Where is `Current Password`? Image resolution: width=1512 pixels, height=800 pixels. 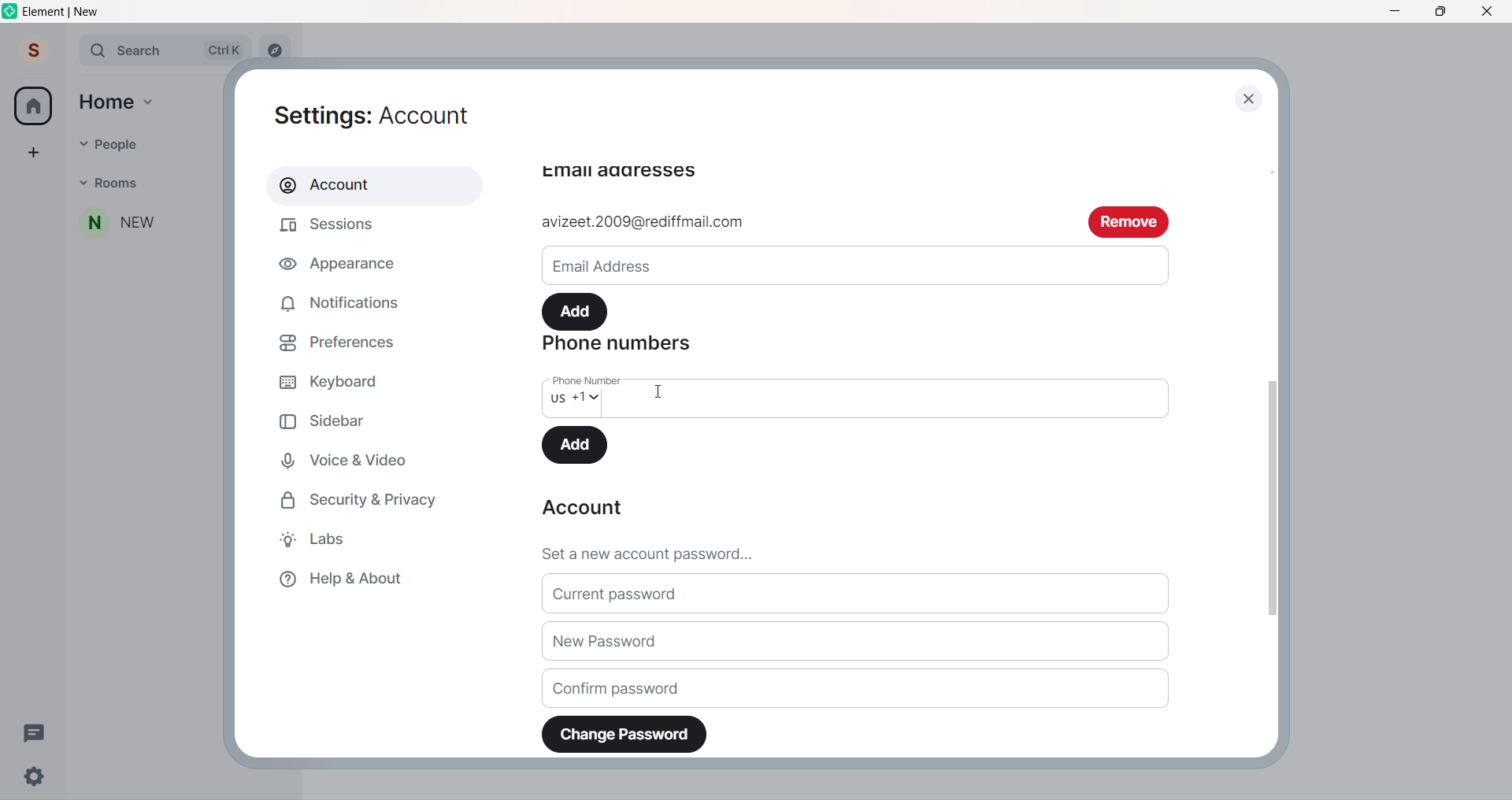
Current Password is located at coordinates (858, 594).